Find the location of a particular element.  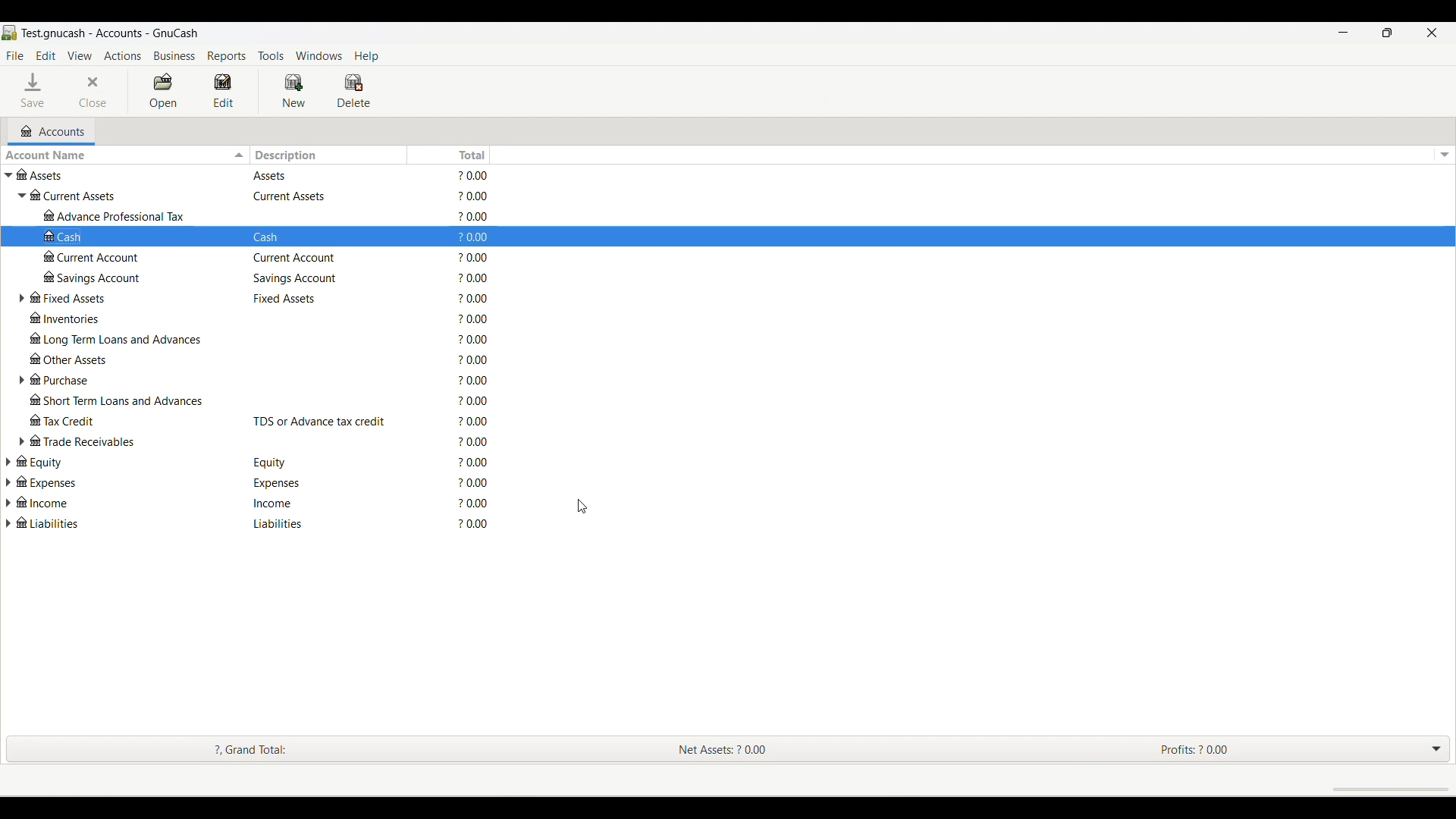

Software logo is located at coordinates (10, 33).